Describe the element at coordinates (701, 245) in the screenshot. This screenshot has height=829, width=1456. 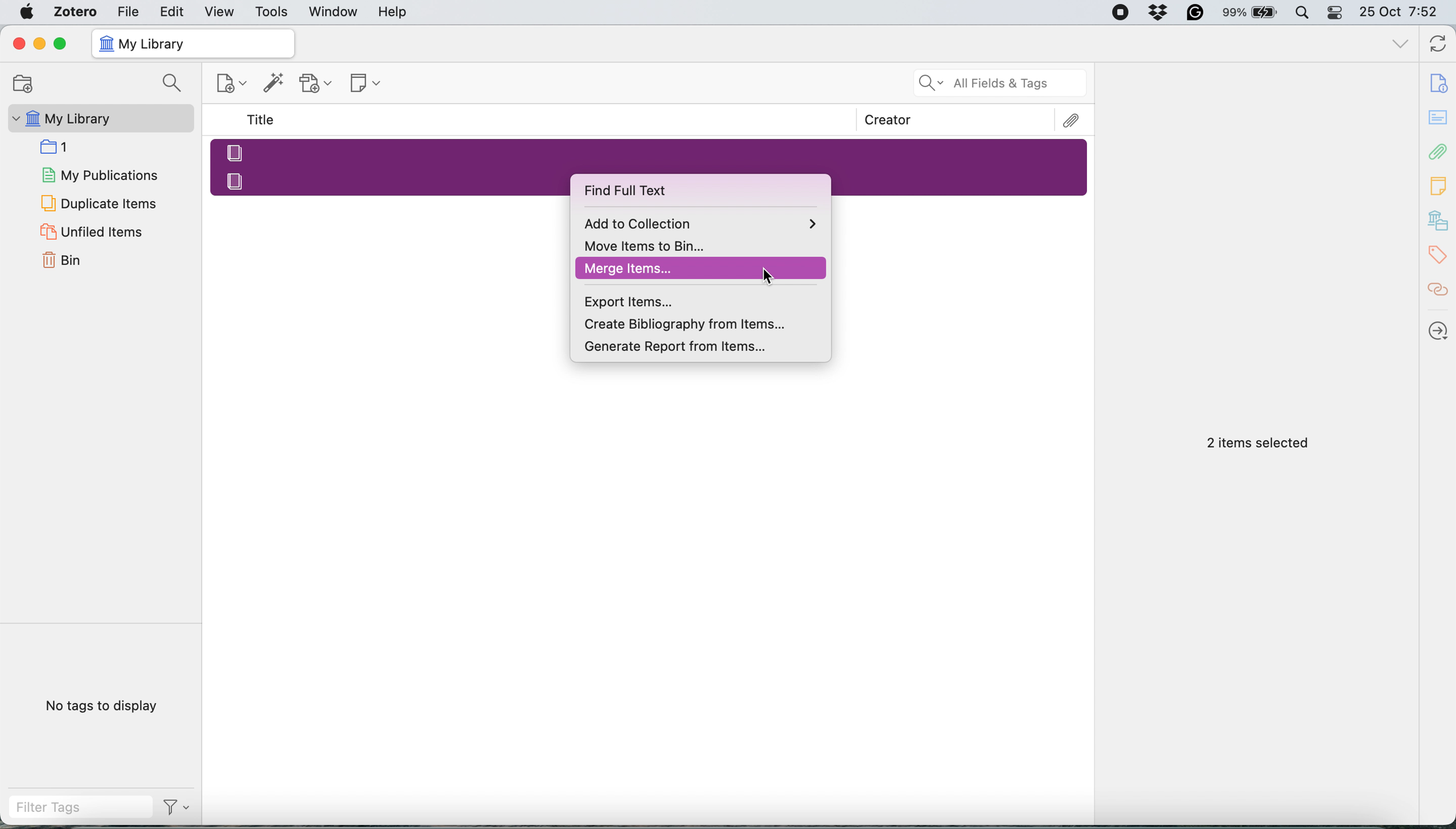
I see `Move Items to Bin` at that location.